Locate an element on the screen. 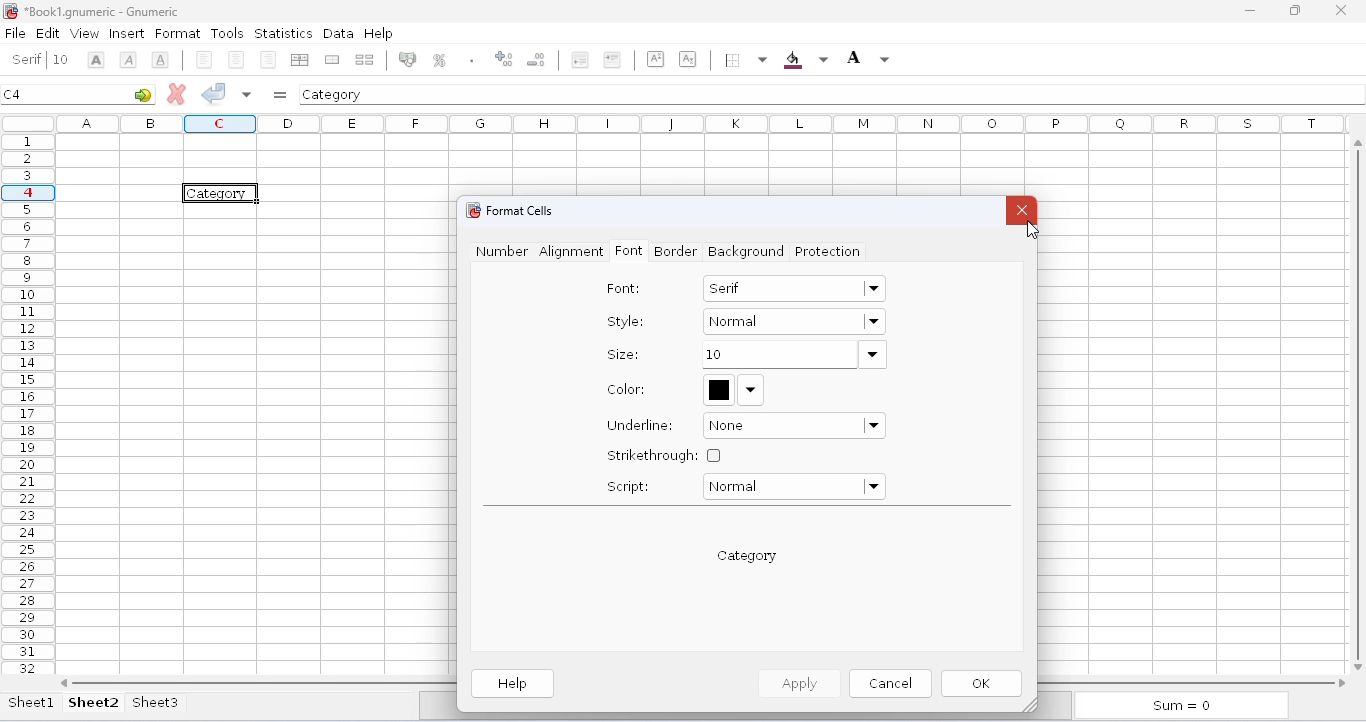 This screenshot has height=722, width=1366. data is located at coordinates (338, 33).